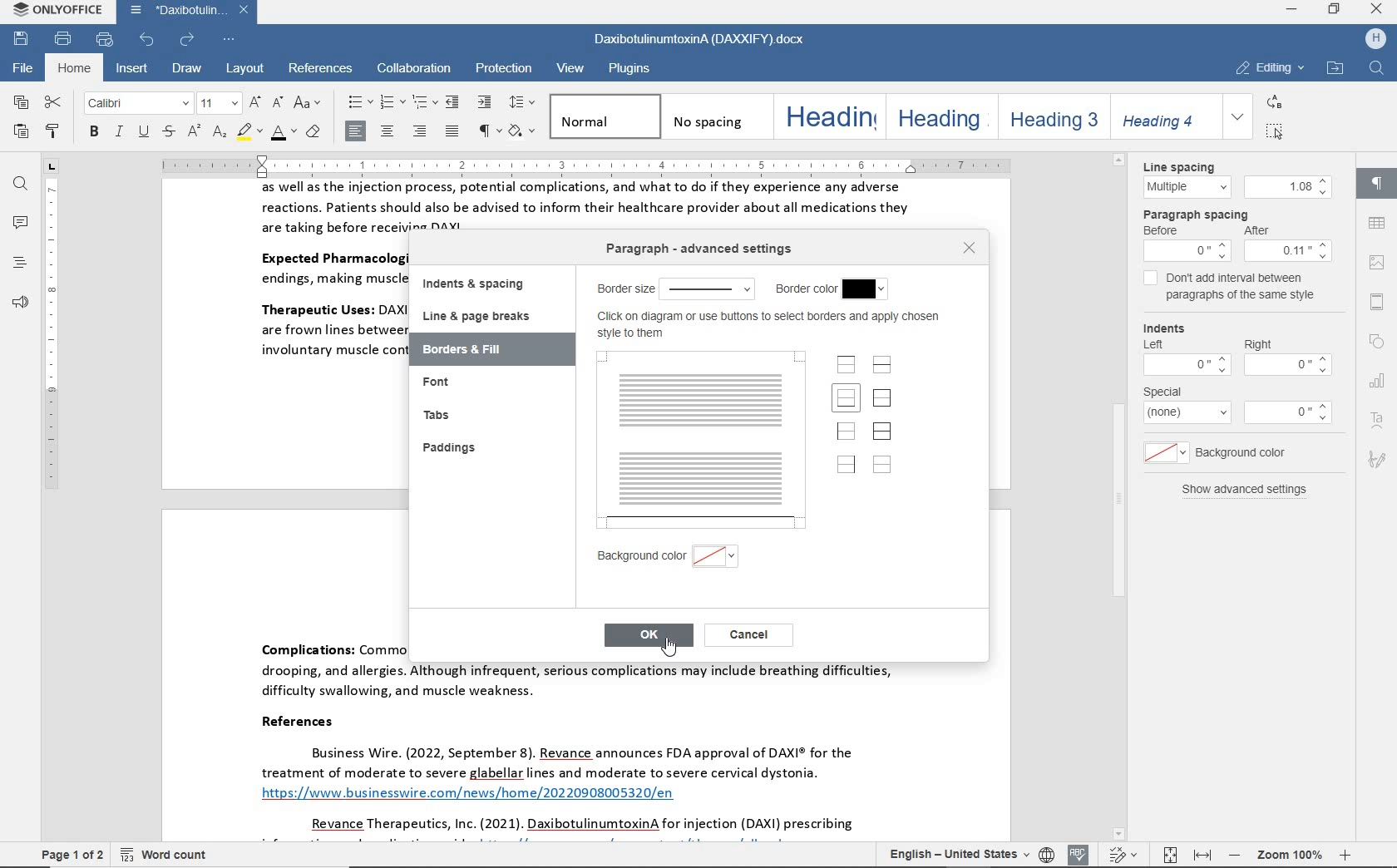 The width and height of the screenshot is (1397, 868). What do you see at coordinates (22, 104) in the screenshot?
I see `copy` at bounding box center [22, 104].